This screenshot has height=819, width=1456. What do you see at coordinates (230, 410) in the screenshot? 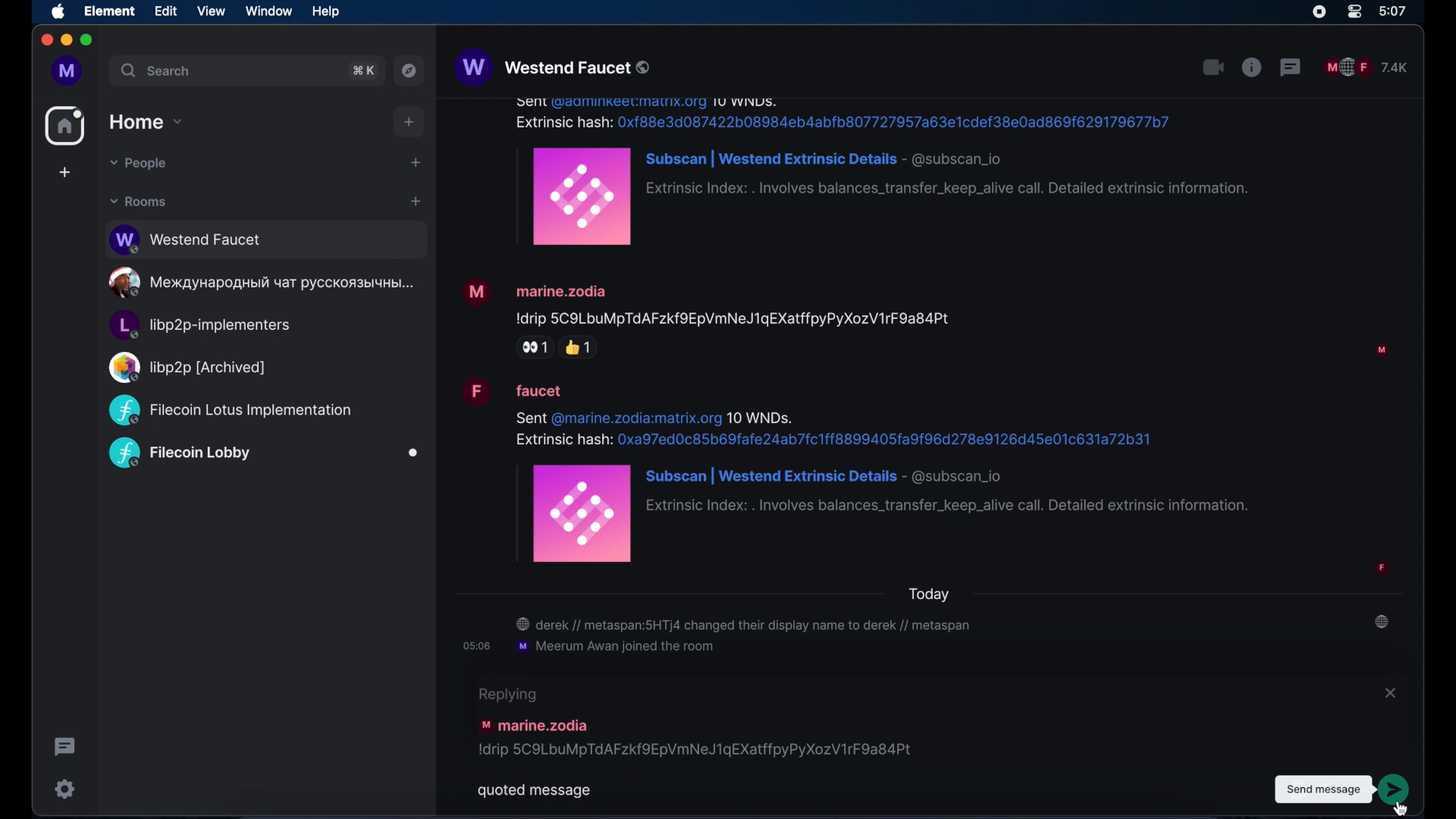
I see `public room` at bounding box center [230, 410].